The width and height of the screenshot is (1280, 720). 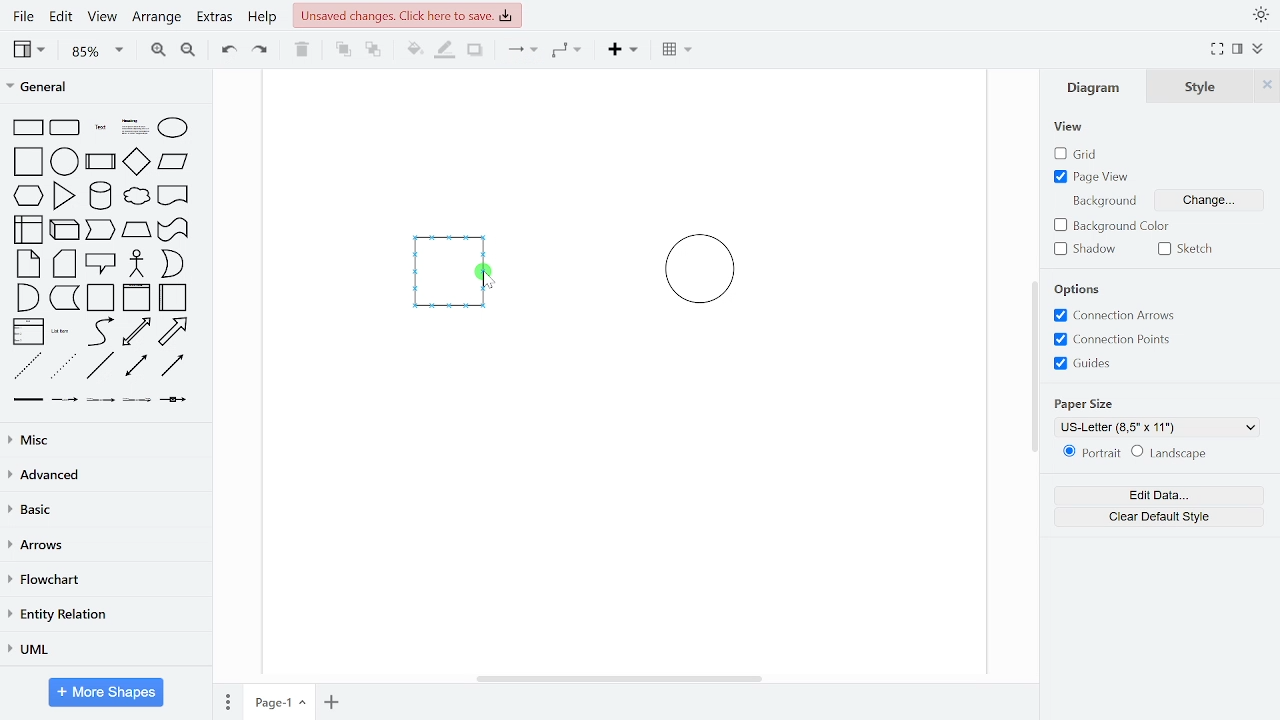 What do you see at coordinates (136, 332) in the screenshot?
I see `bidirectional arrow` at bounding box center [136, 332].